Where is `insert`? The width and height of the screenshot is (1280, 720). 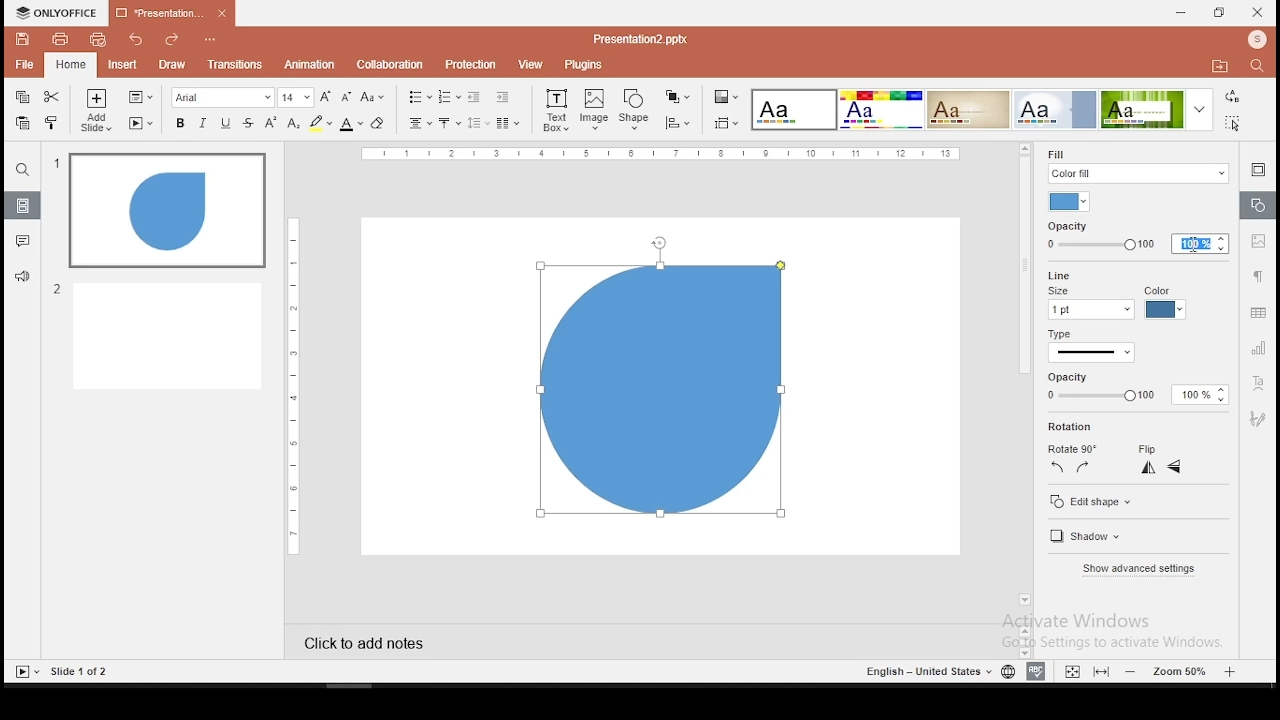 insert is located at coordinates (123, 66).